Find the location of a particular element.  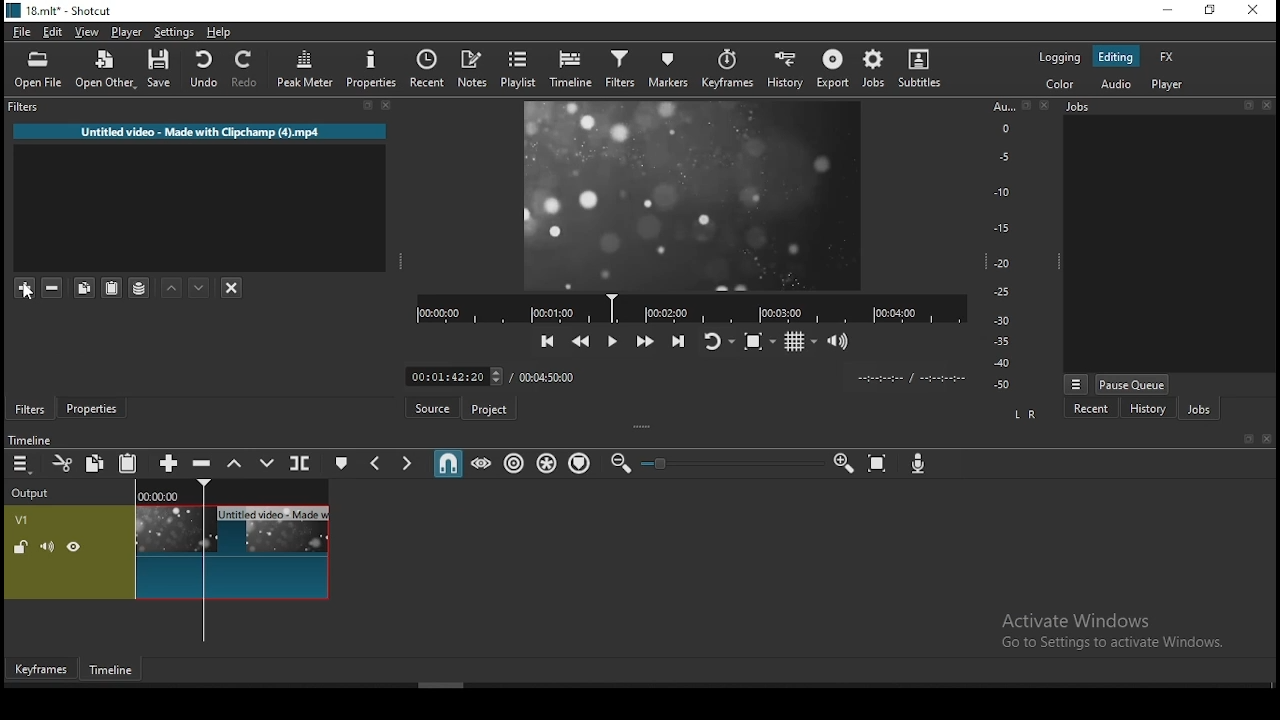

icon and file name is located at coordinates (58, 11).